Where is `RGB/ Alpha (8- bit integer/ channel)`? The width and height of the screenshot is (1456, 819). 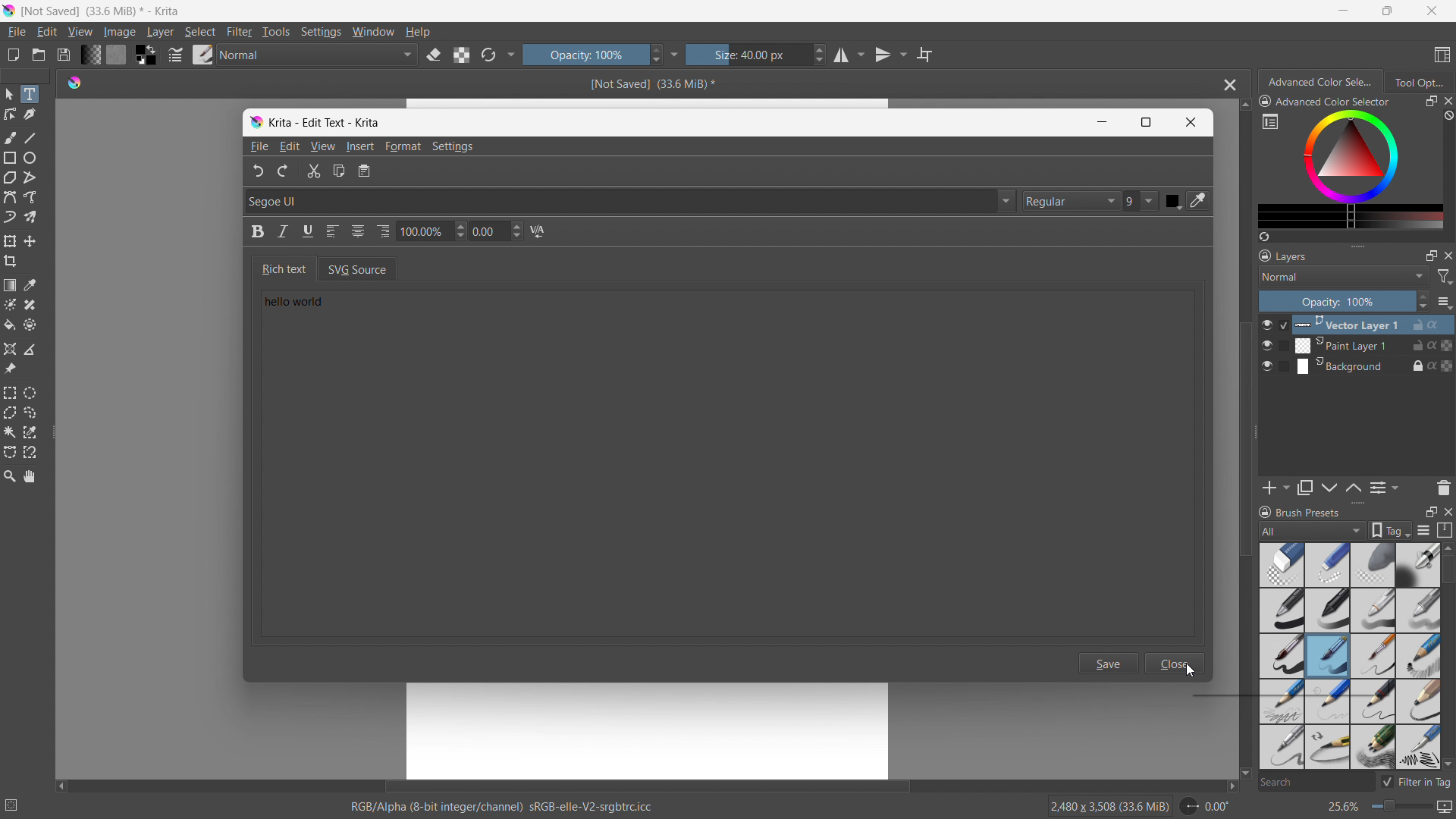
RGB/ Alpha (8- bit integer/ channel) is located at coordinates (502, 808).